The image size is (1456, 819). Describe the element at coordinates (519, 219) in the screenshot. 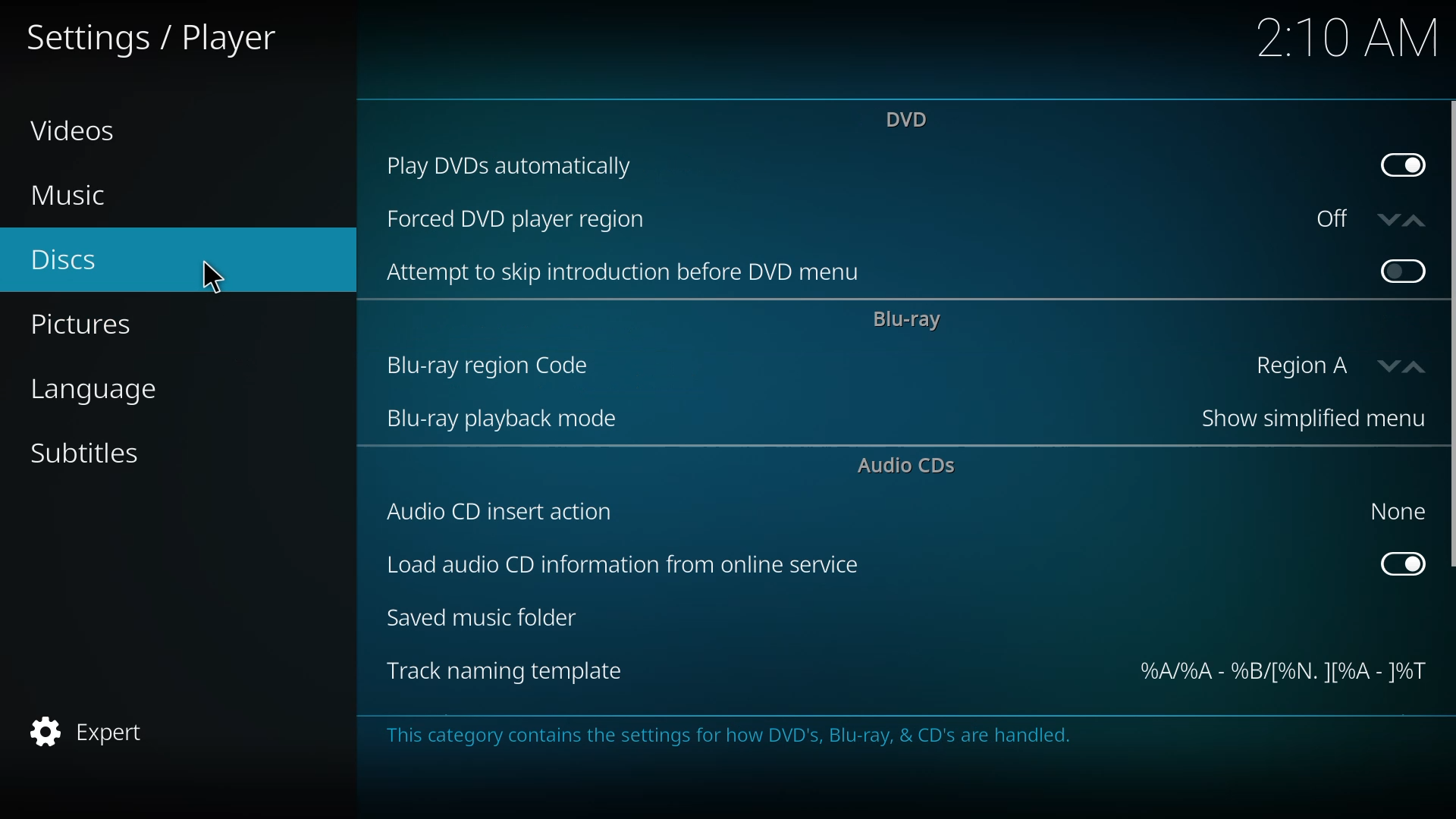

I see `forced dvd player region` at that location.